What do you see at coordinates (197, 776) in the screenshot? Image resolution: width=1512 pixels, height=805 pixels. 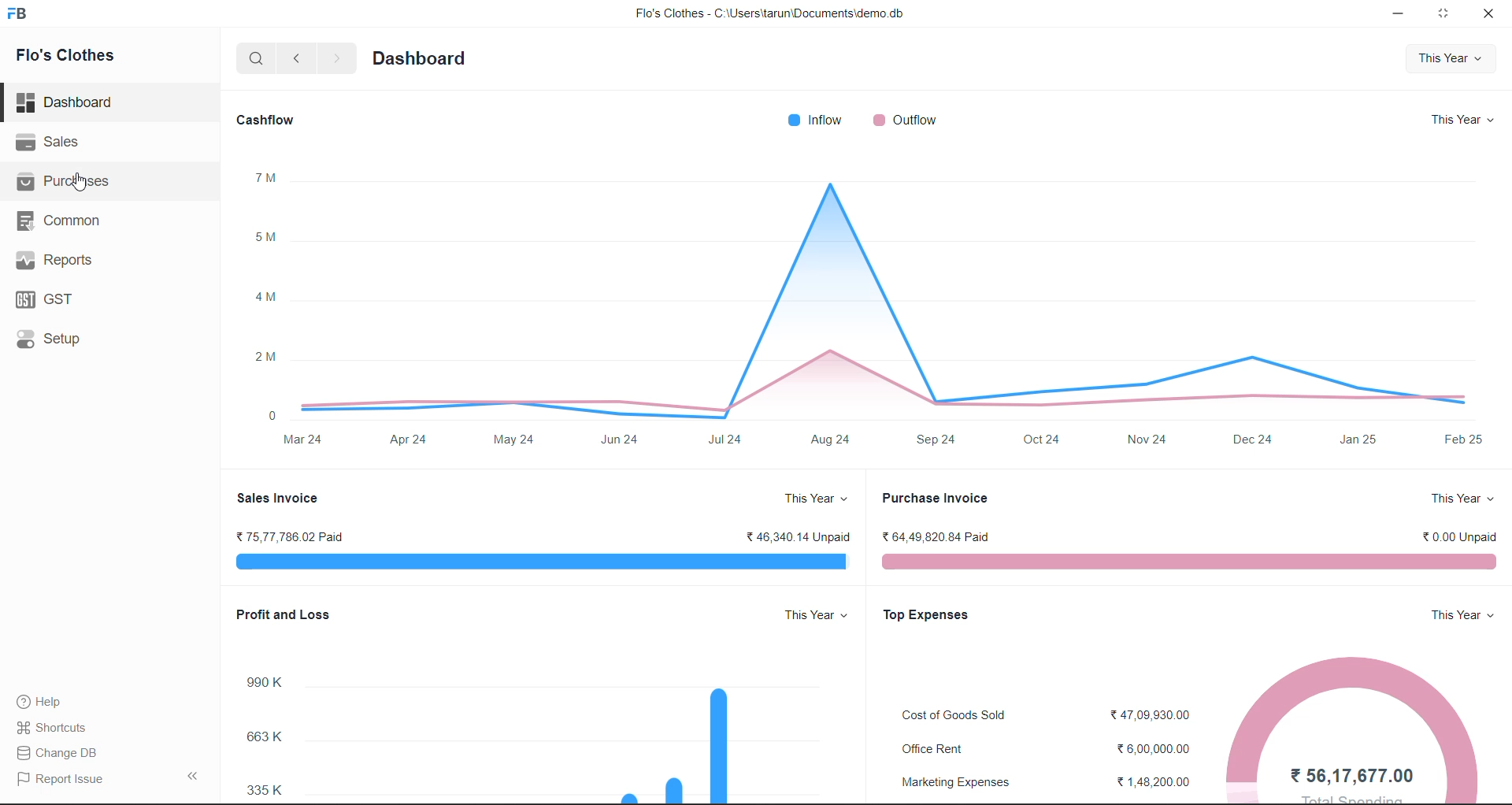 I see `collapse` at bounding box center [197, 776].